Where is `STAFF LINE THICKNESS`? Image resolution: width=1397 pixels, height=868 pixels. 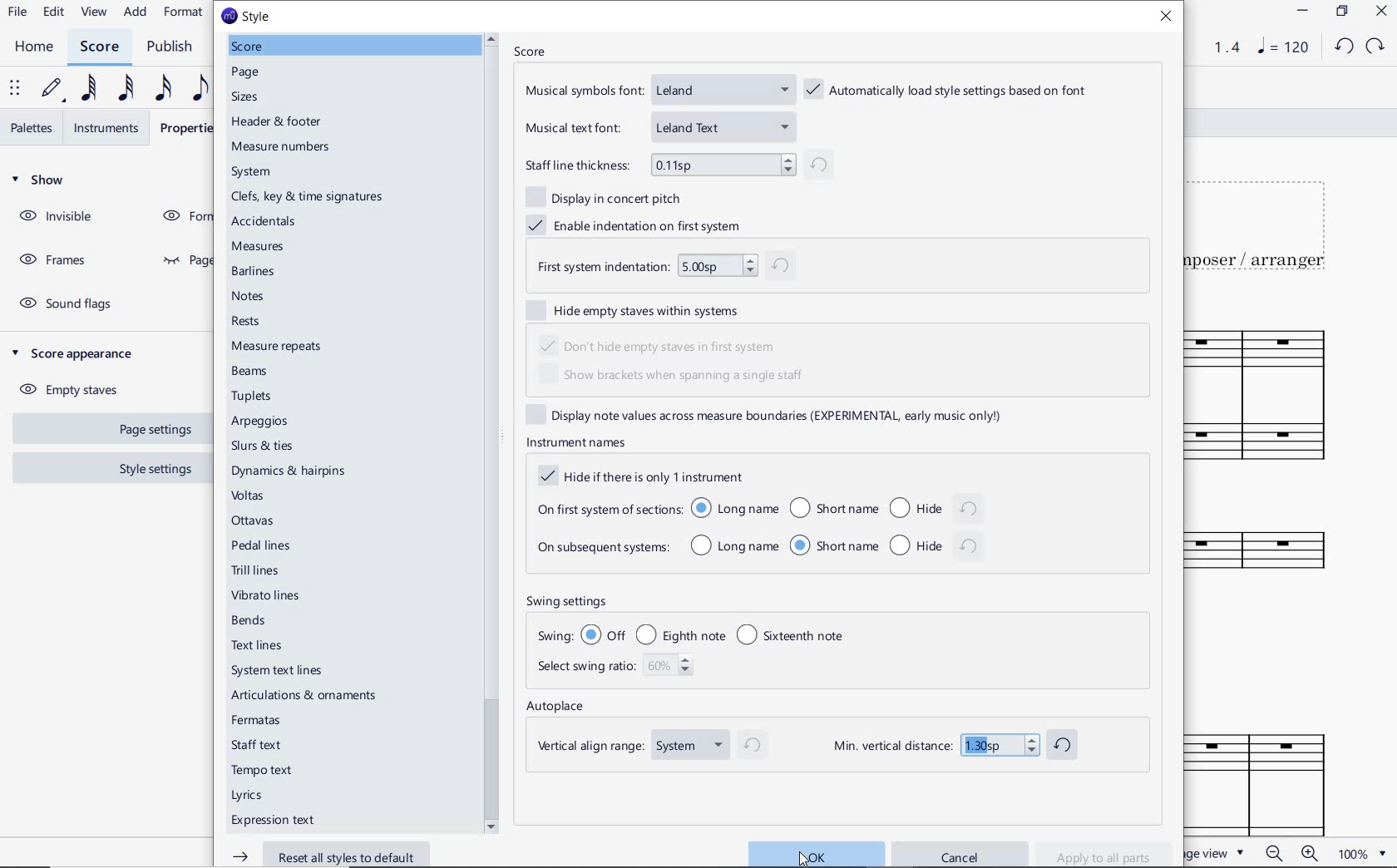
STAFF LINE THICKNESS is located at coordinates (676, 164).